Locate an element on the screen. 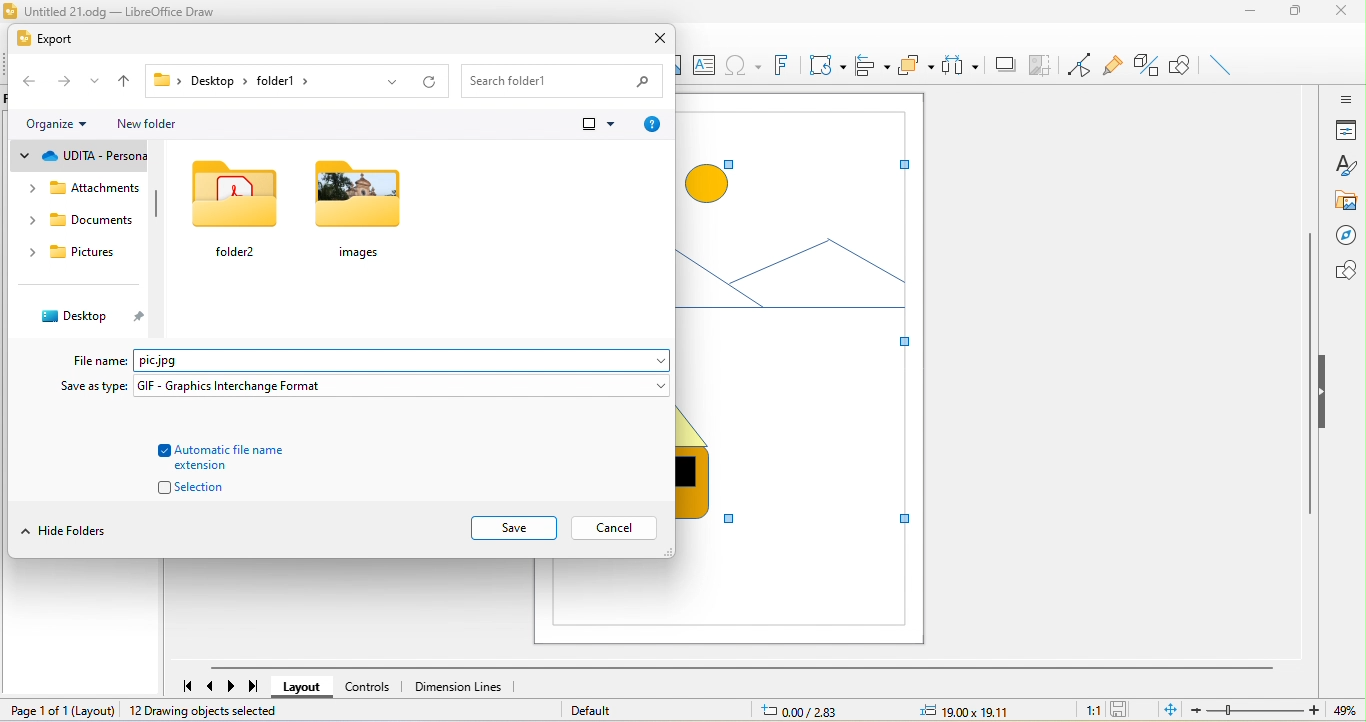 This screenshot has height=722, width=1366. layout is located at coordinates (303, 688).